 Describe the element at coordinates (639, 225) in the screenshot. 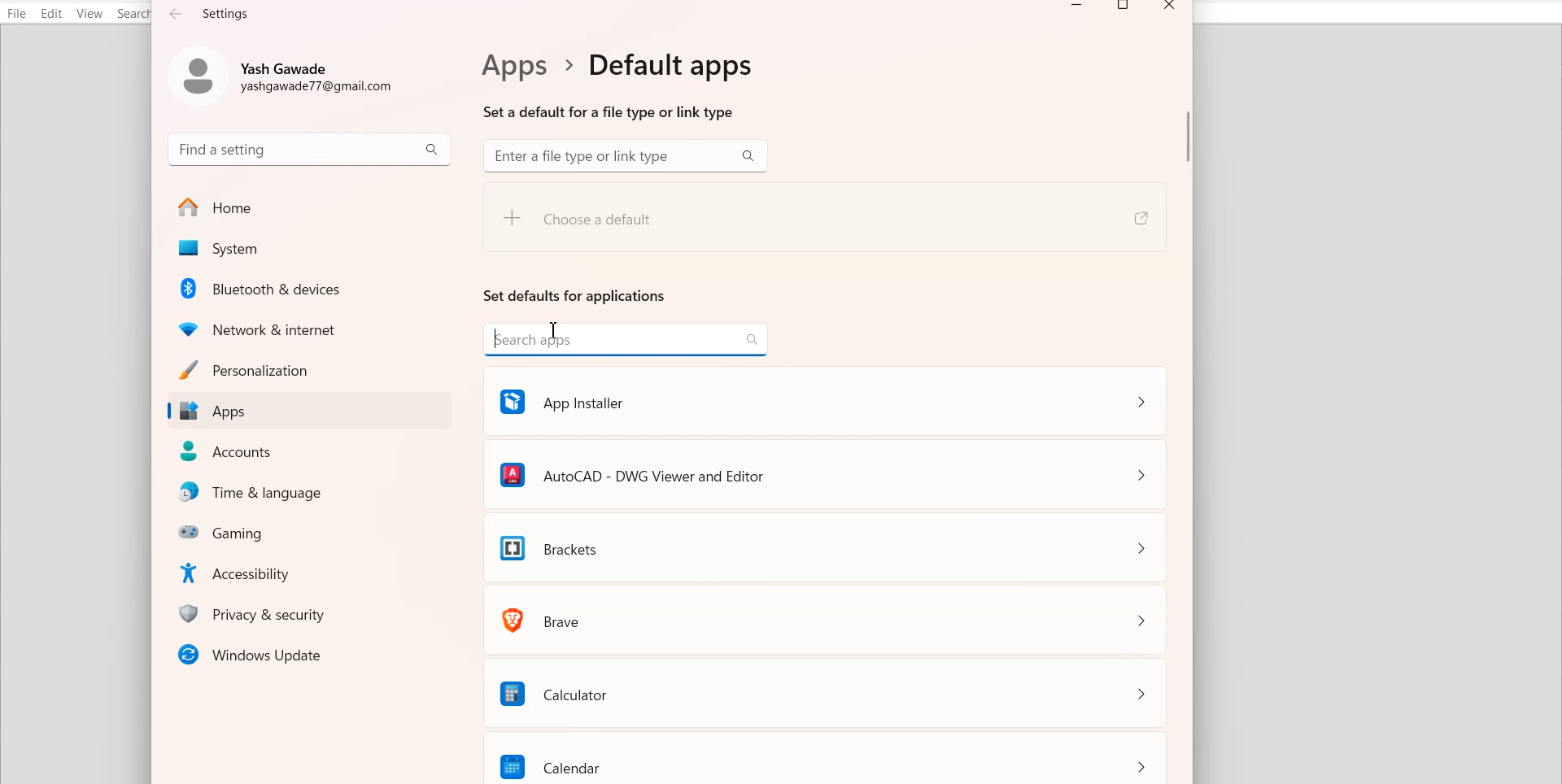

I see `Choose a default` at that location.